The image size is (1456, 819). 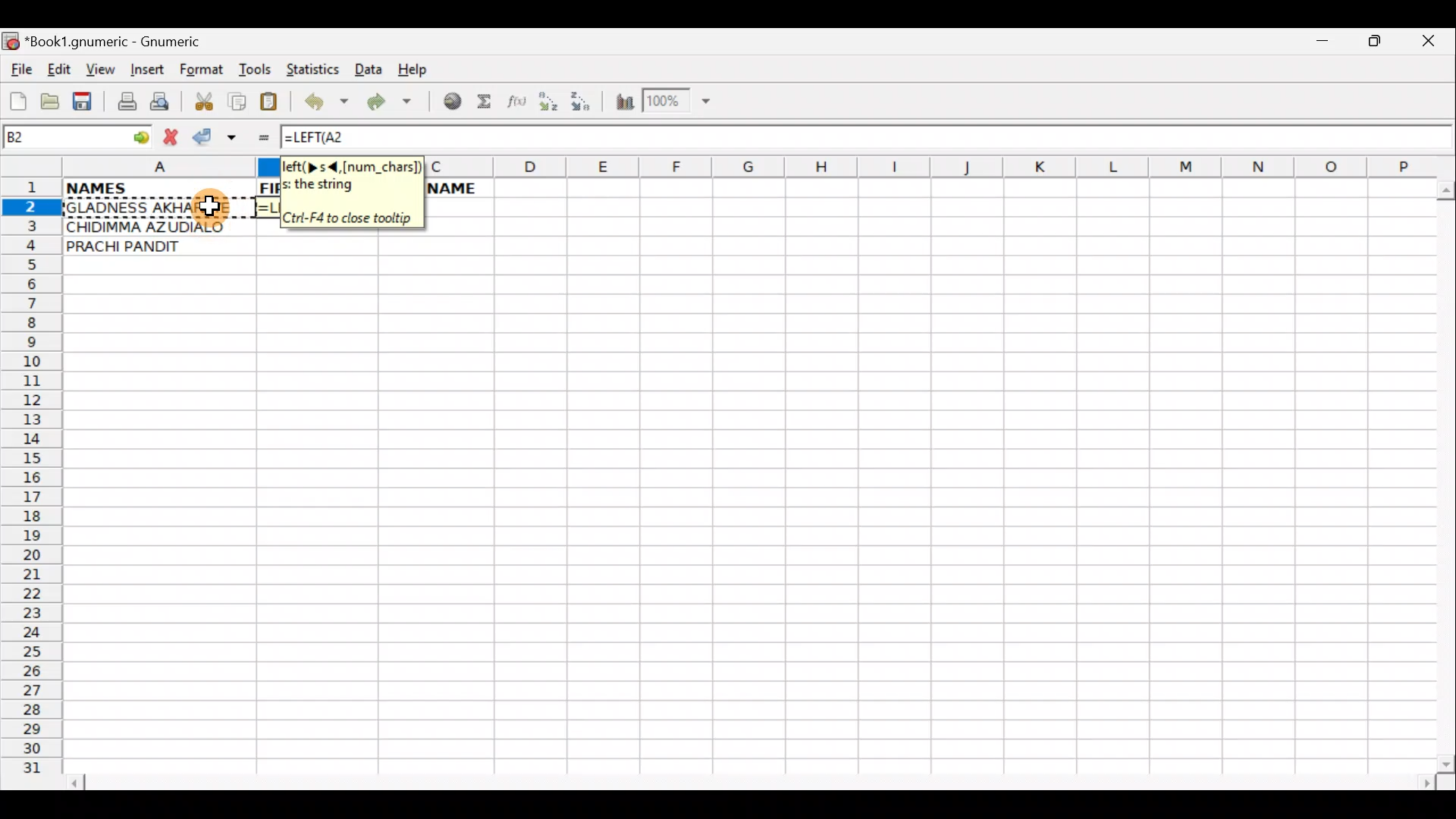 I want to click on Columns, so click(x=928, y=165).